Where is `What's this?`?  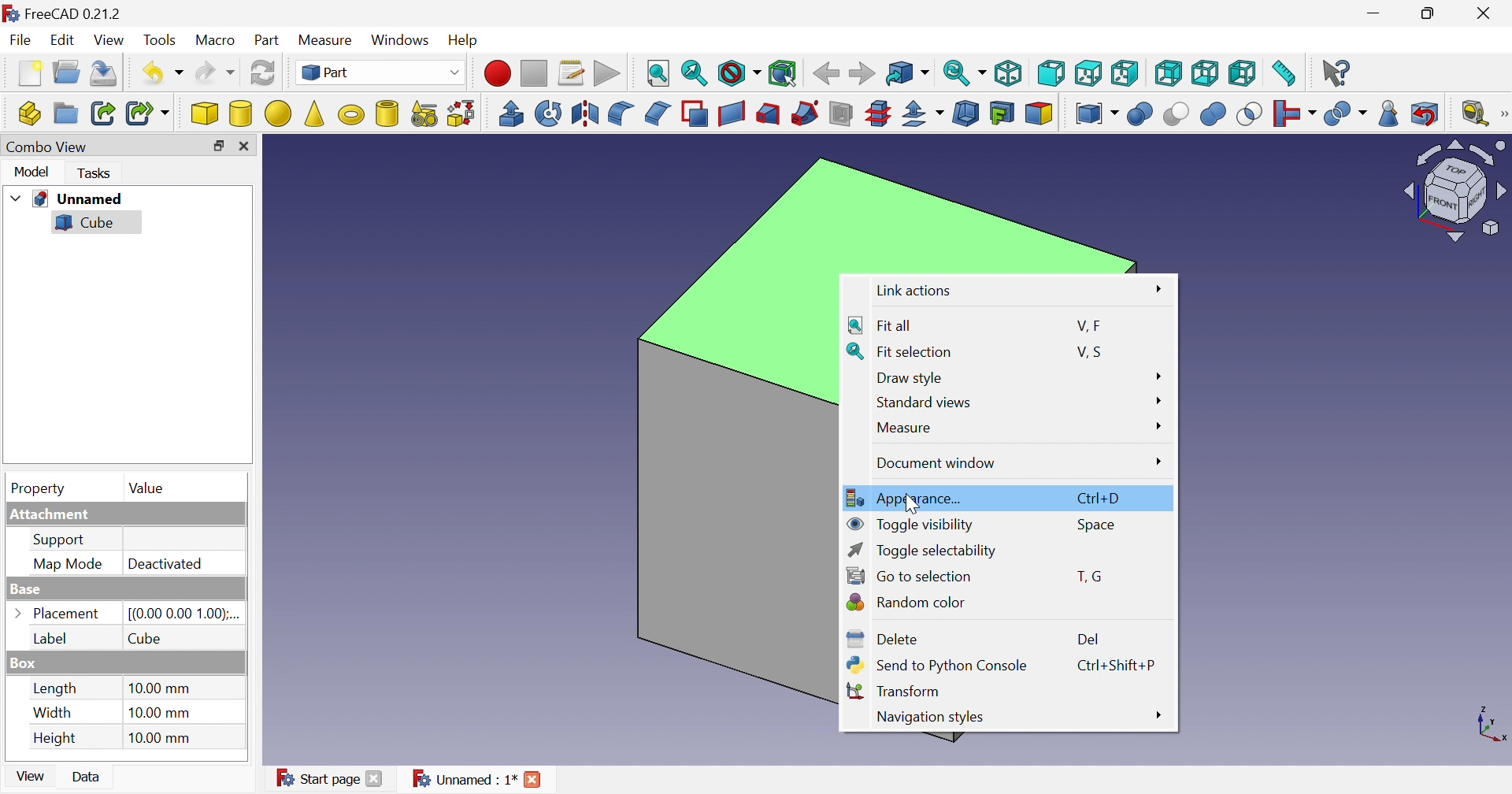
What's this? is located at coordinates (1338, 75).